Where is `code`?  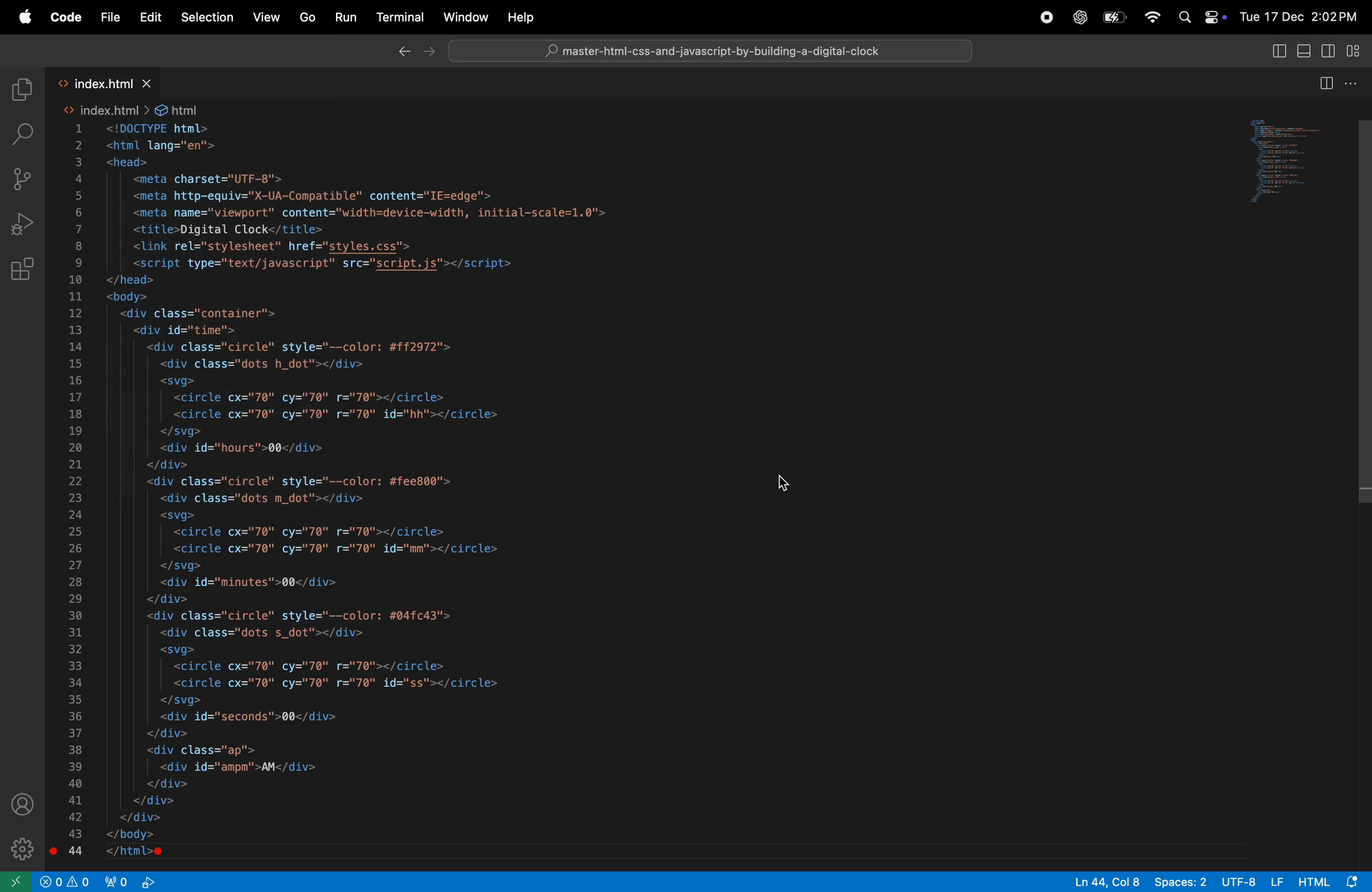
code is located at coordinates (65, 16).